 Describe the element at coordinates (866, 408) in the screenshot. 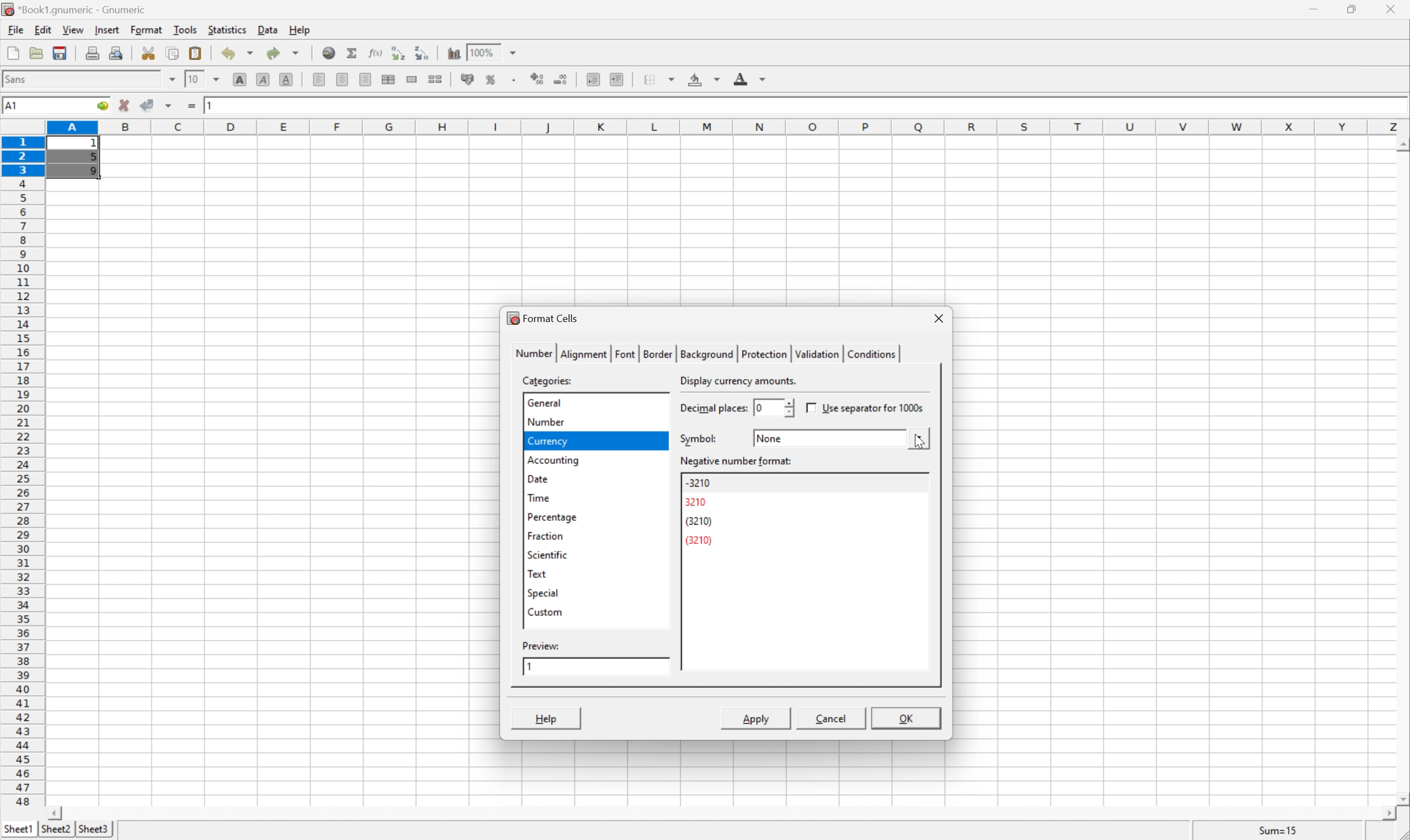

I see `use separator for 1000s` at that location.